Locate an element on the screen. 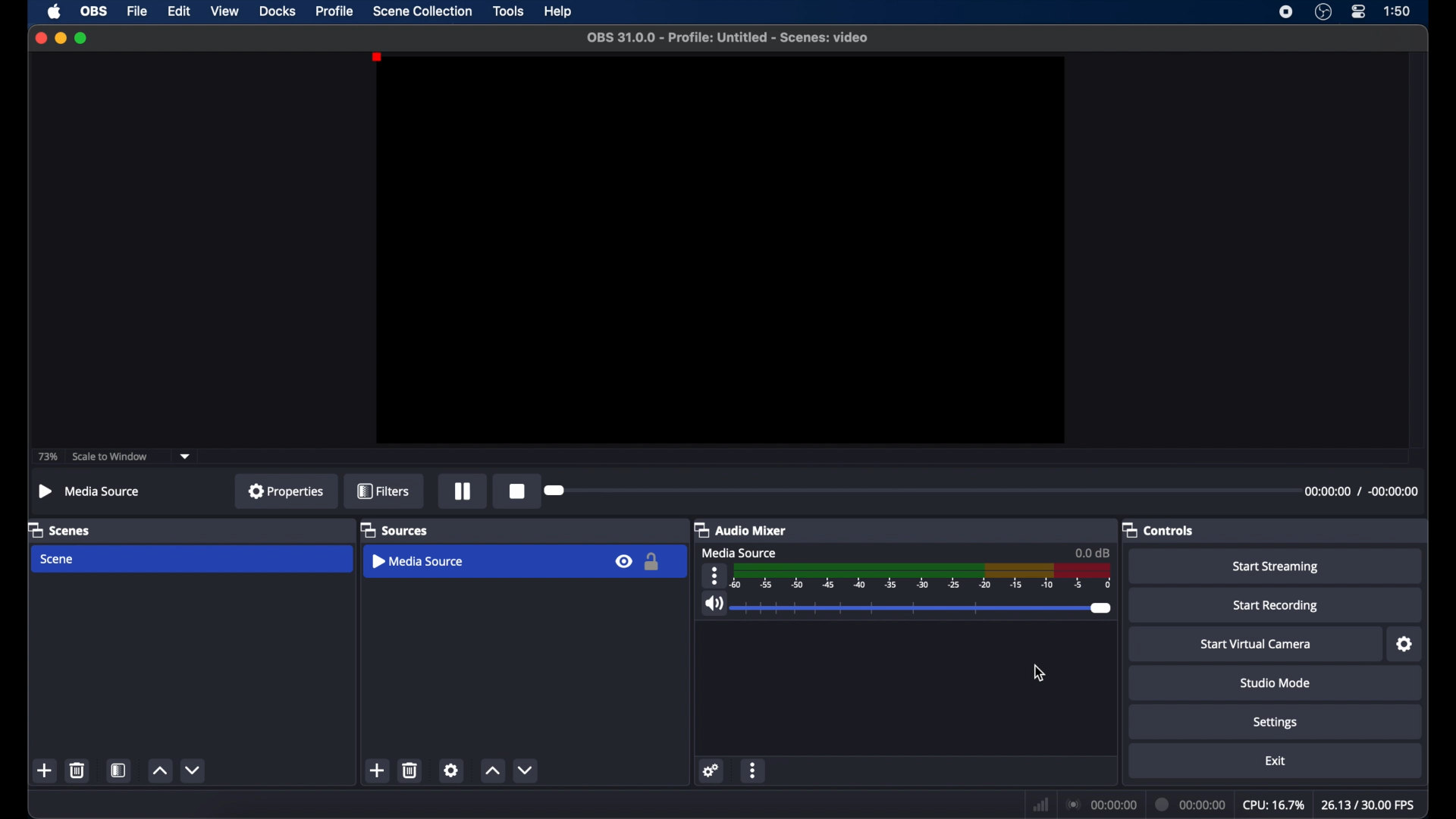 This screenshot has height=819, width=1456. more options is located at coordinates (755, 770).